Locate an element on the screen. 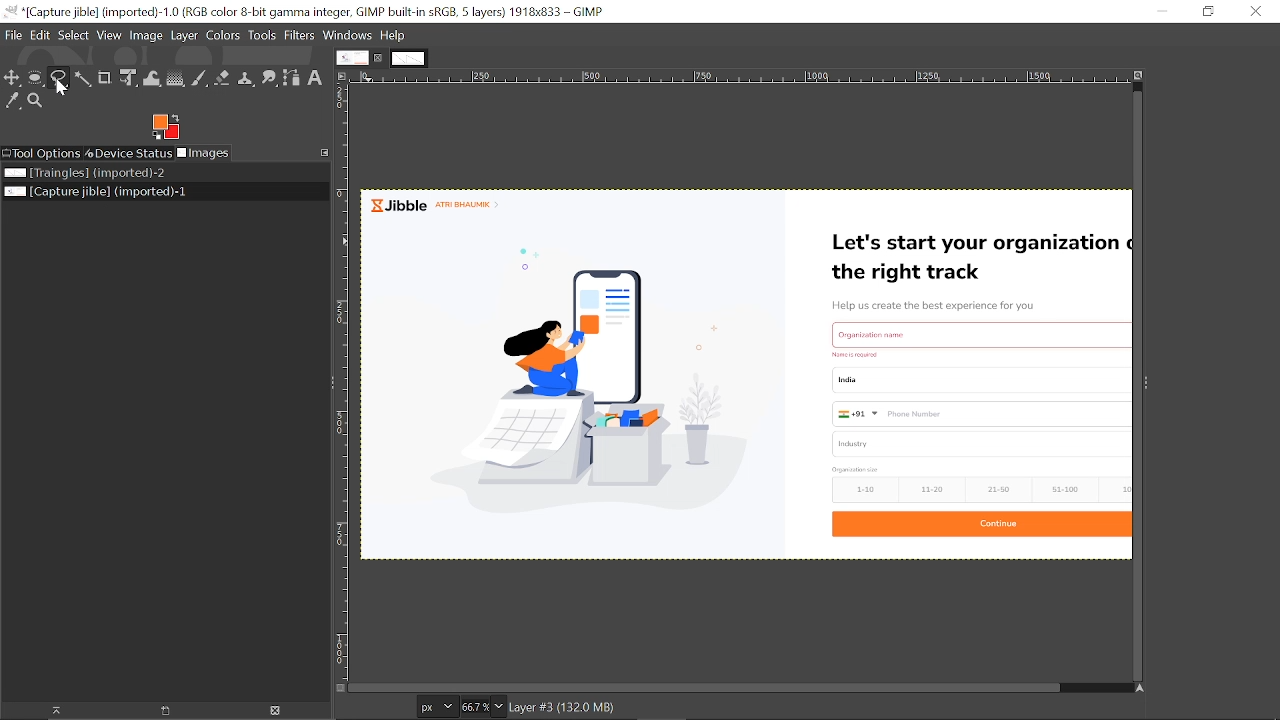  Help is located at coordinates (393, 36).